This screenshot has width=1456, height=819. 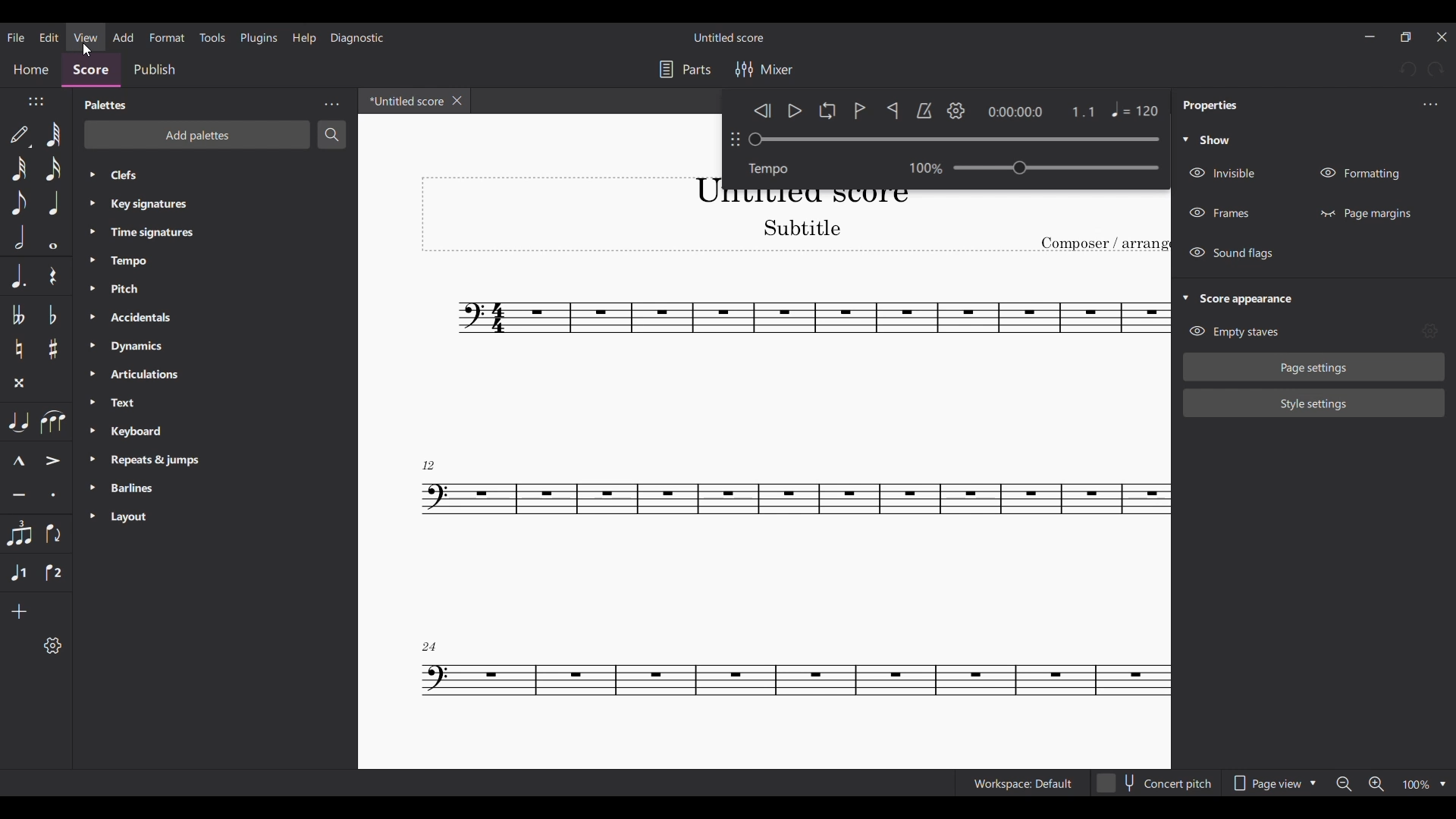 I want to click on Tie, so click(x=19, y=422).